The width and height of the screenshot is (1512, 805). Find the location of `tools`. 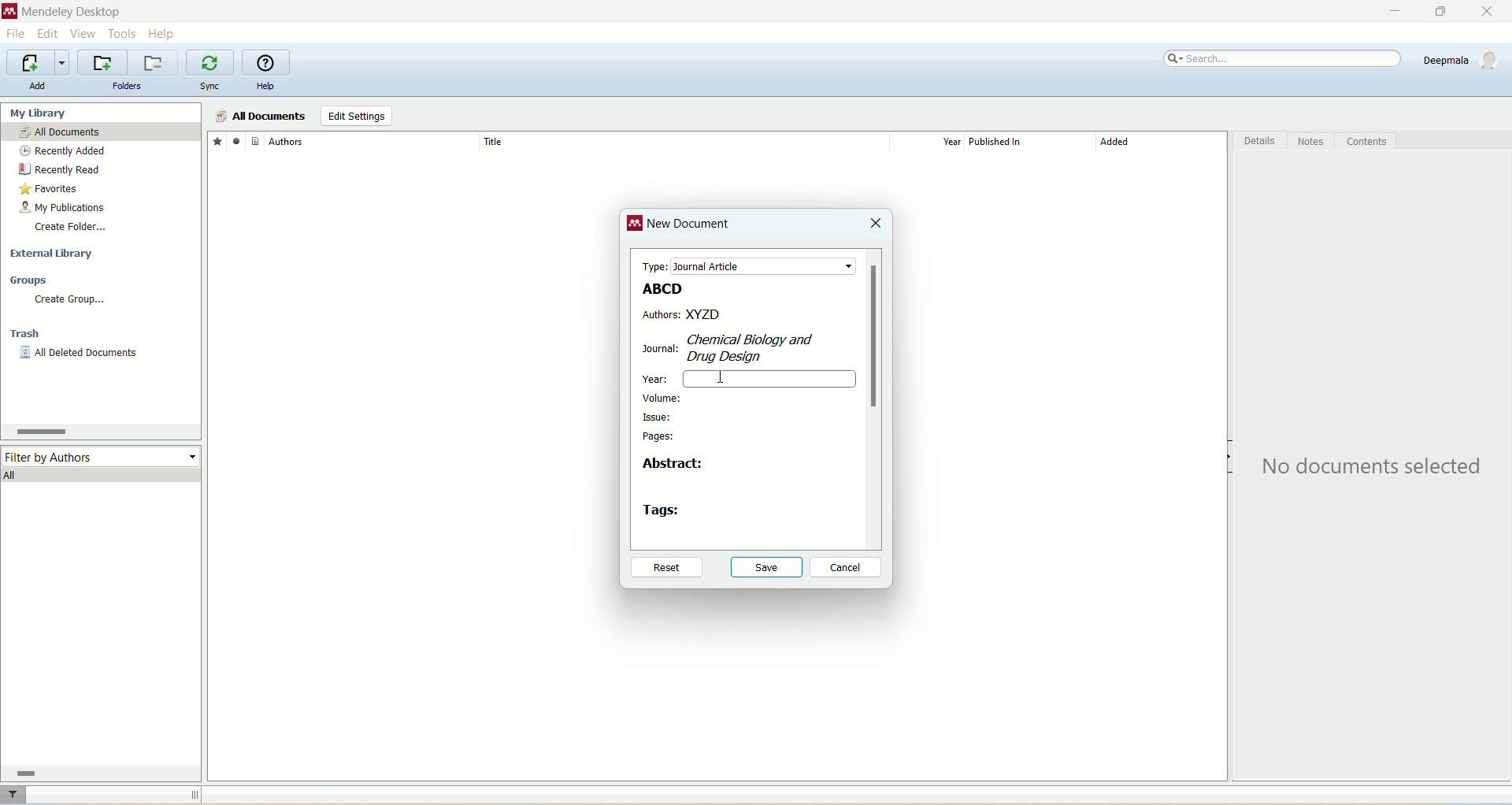

tools is located at coordinates (123, 32).